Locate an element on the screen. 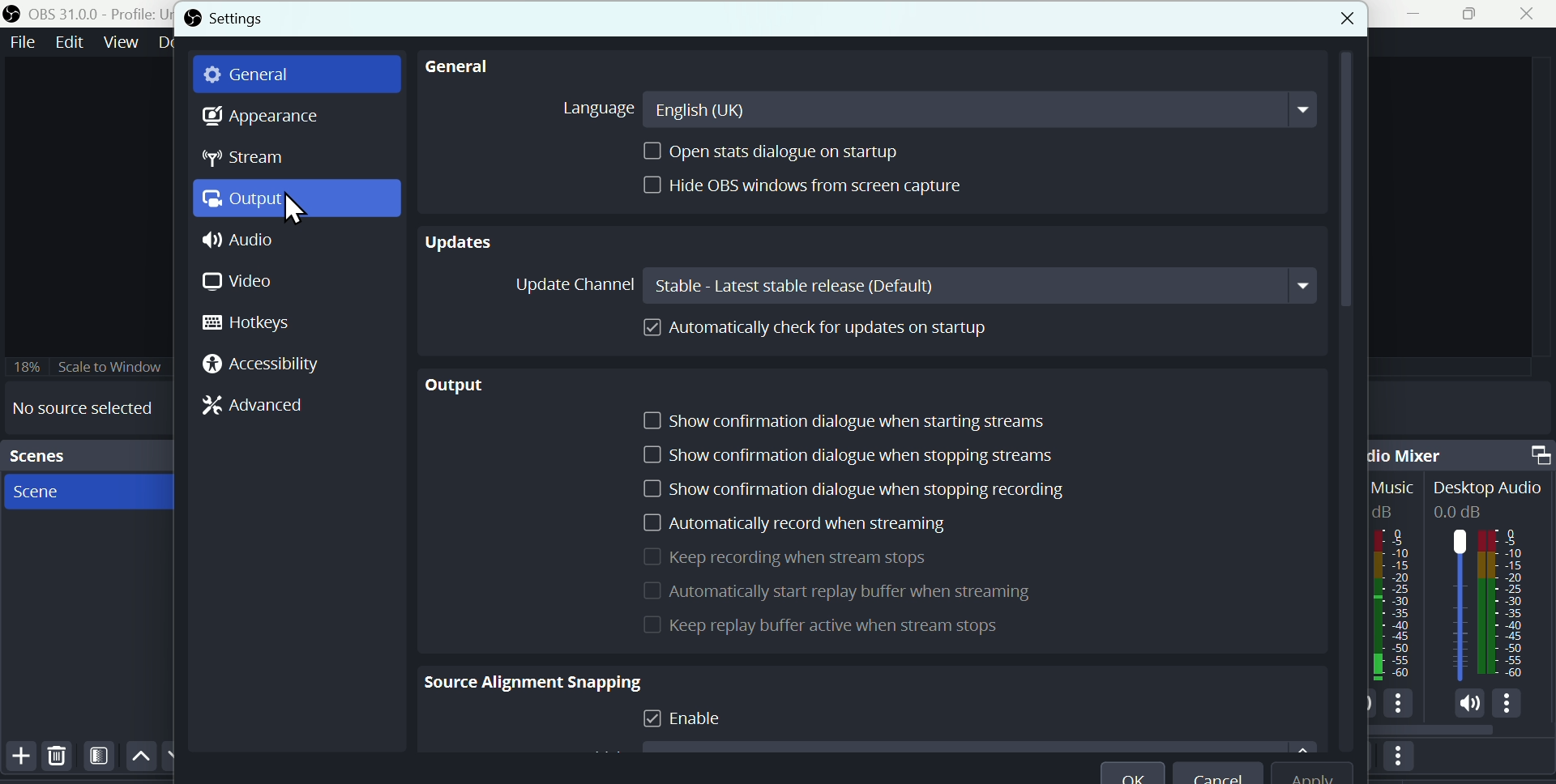  Update channel is located at coordinates (919, 284).